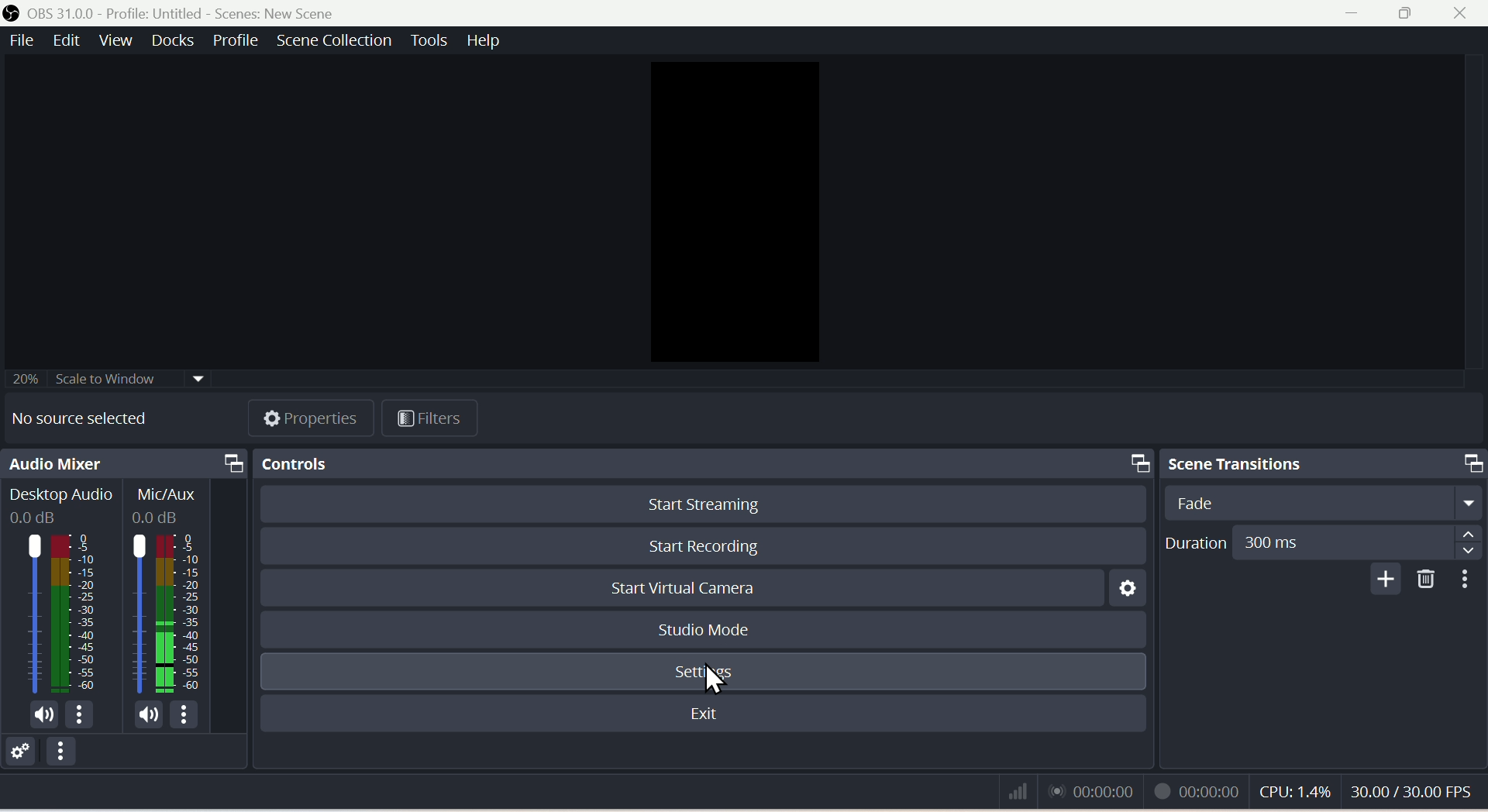  What do you see at coordinates (702, 503) in the screenshot?
I see `Start screaming` at bounding box center [702, 503].